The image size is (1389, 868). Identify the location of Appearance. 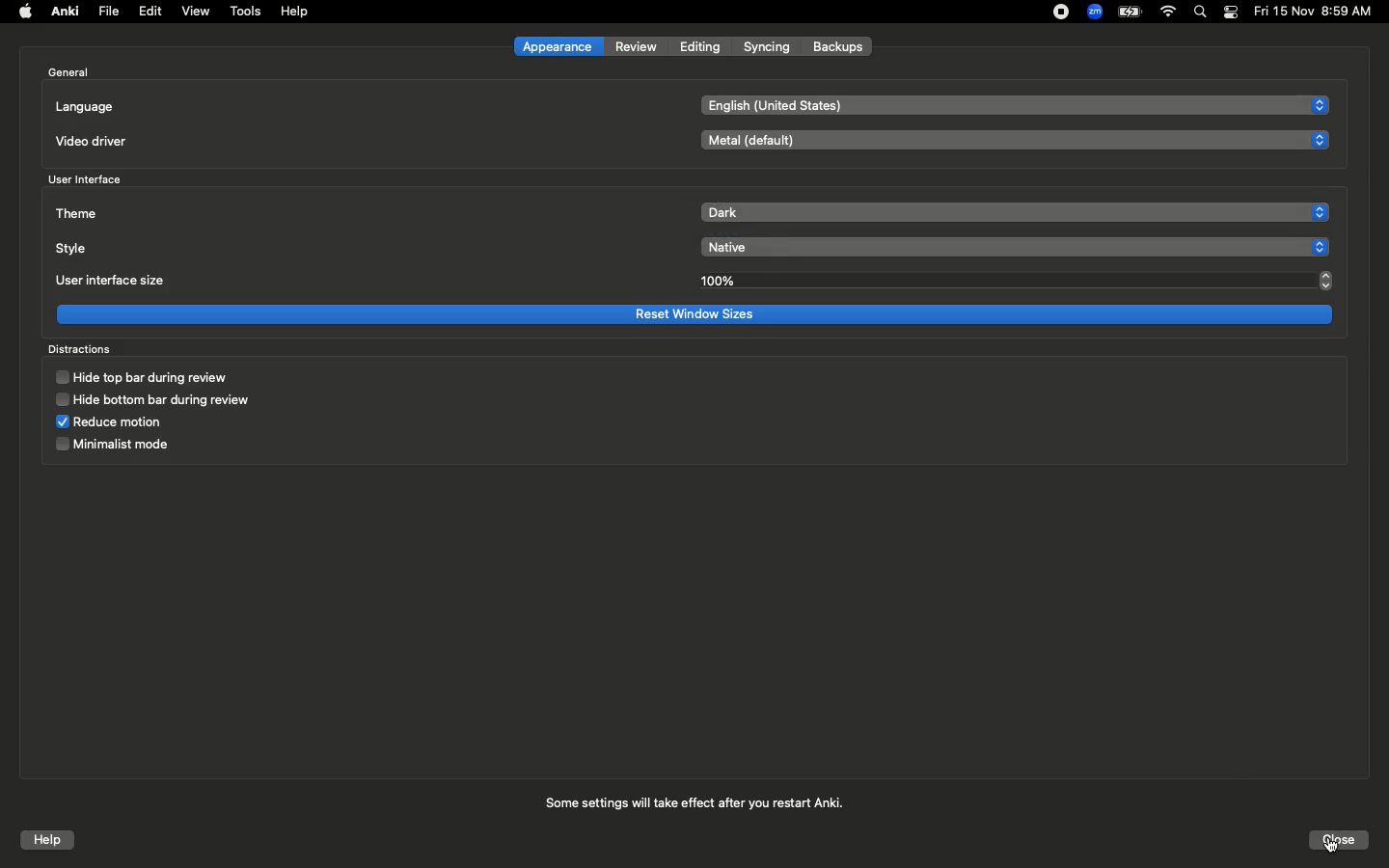
(559, 47).